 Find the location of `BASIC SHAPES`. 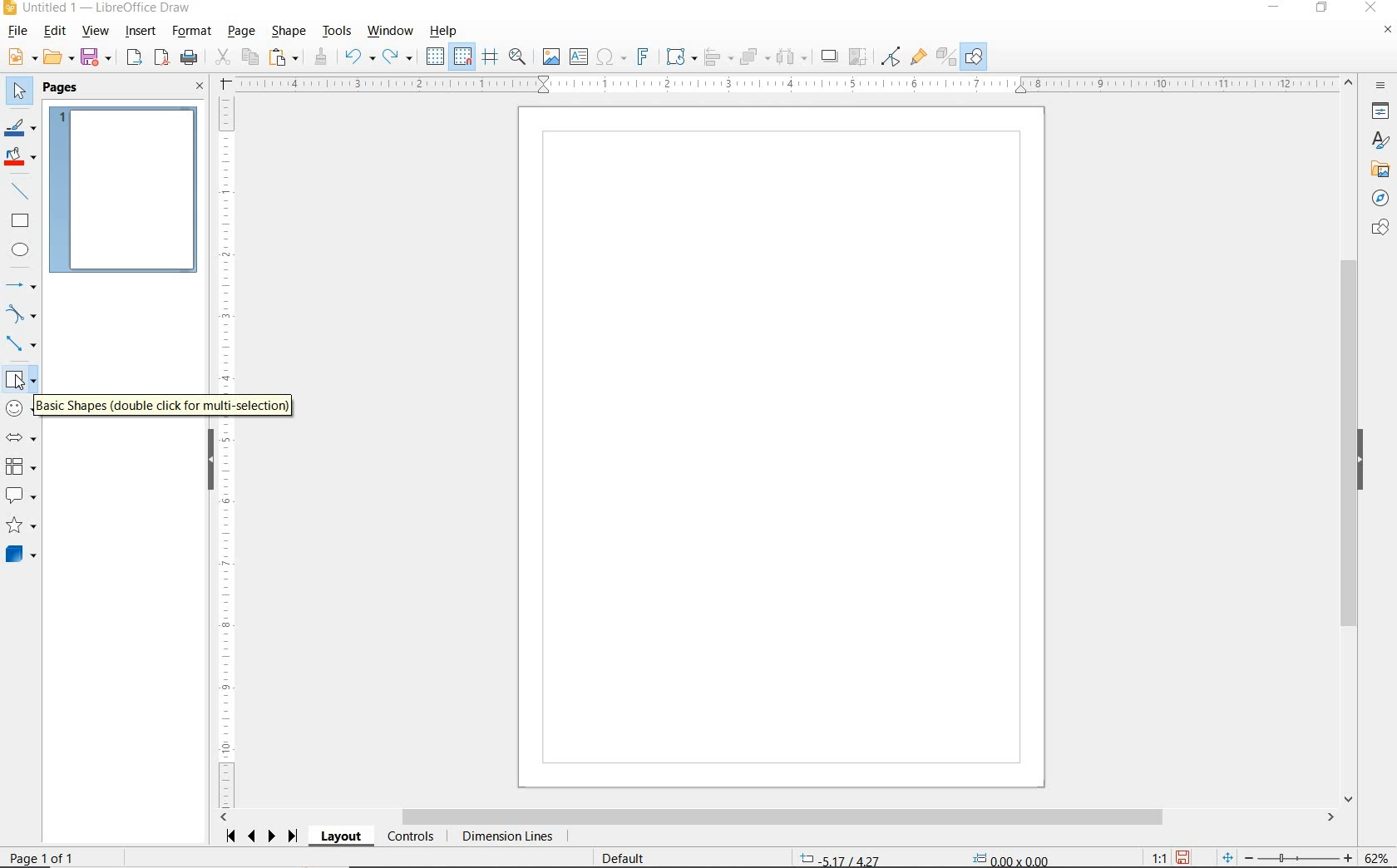

BASIC SHAPES is located at coordinates (165, 407).